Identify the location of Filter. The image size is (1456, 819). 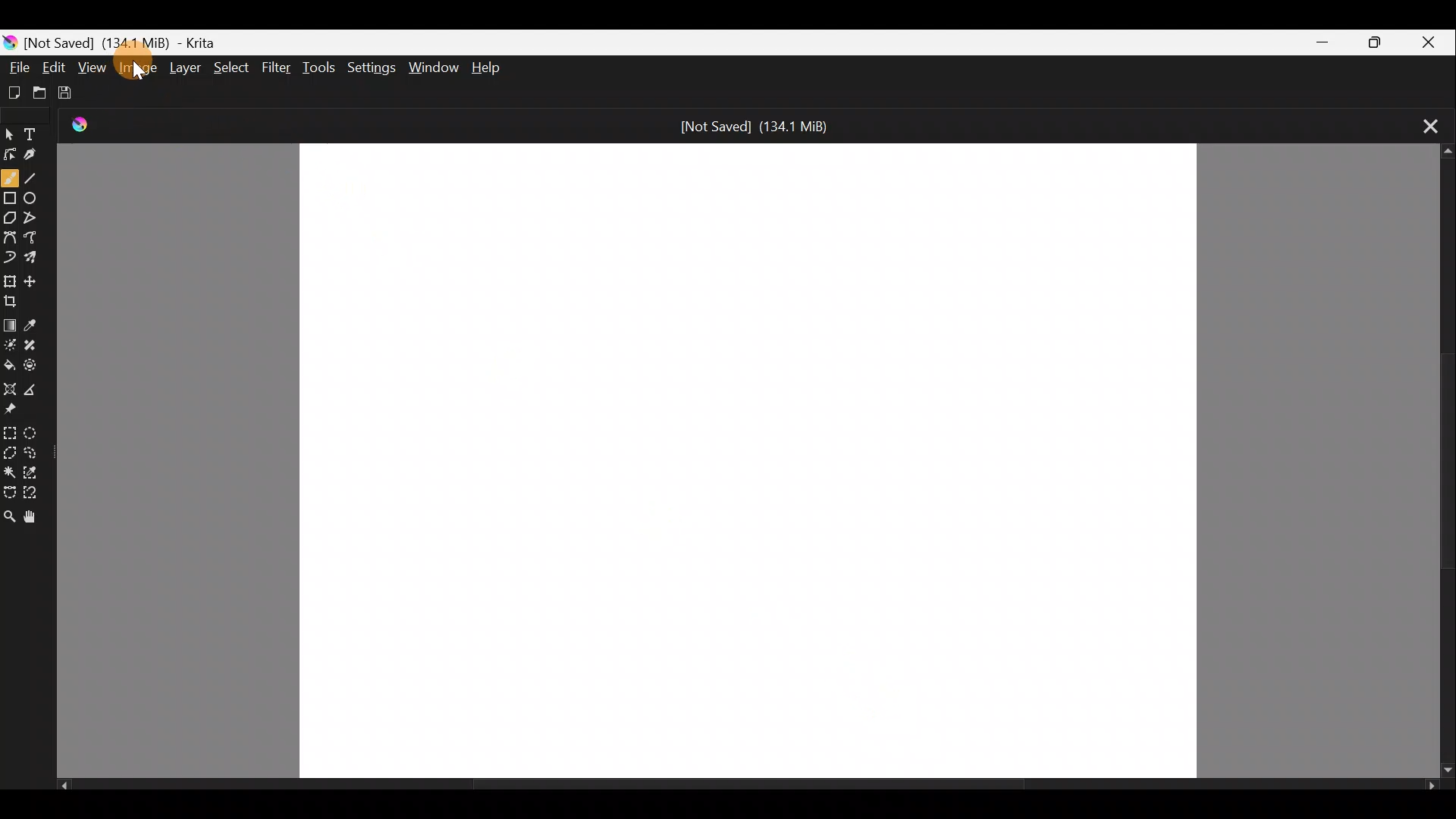
(278, 72).